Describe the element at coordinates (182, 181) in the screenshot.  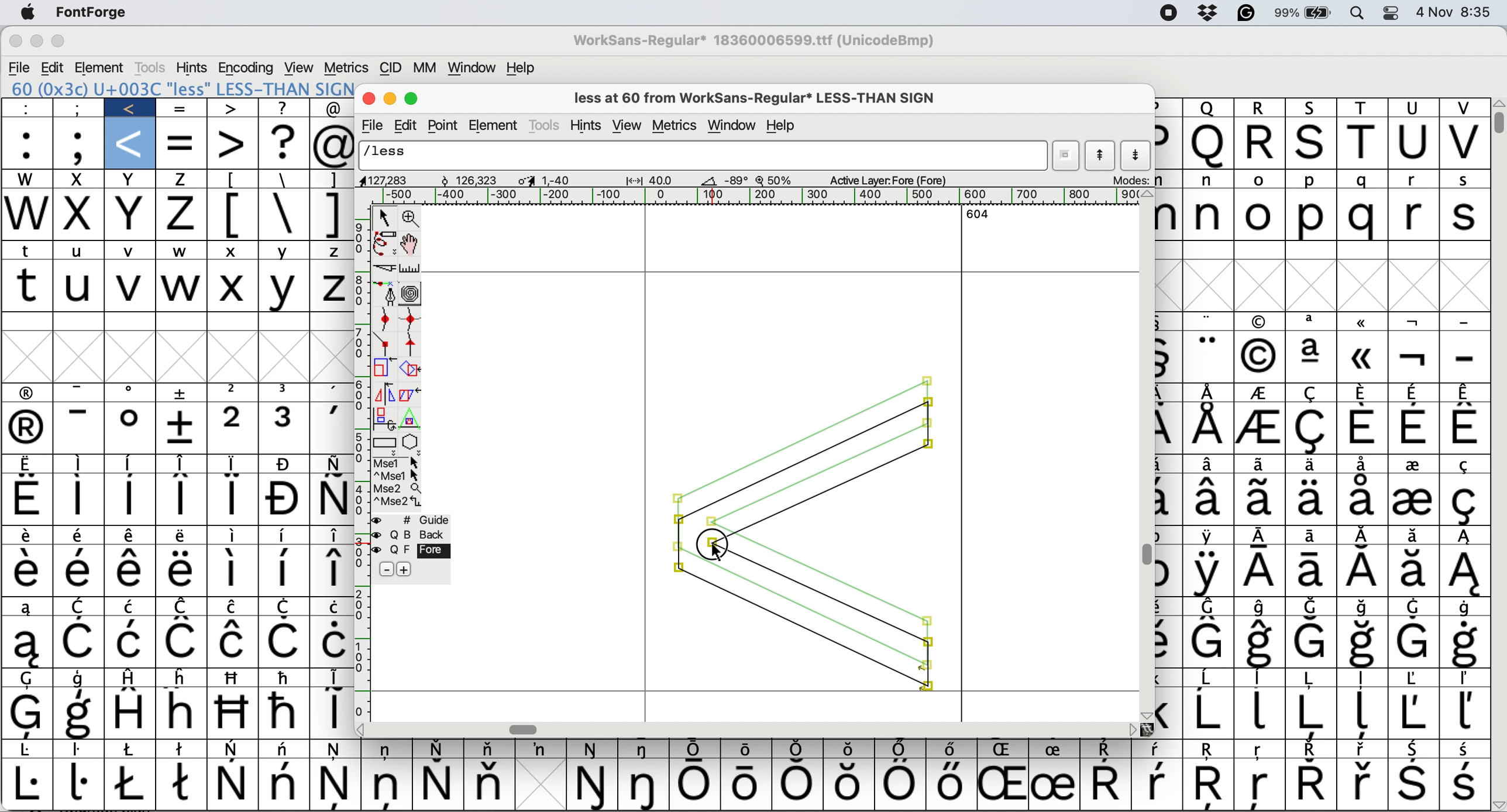
I see `z` at that location.